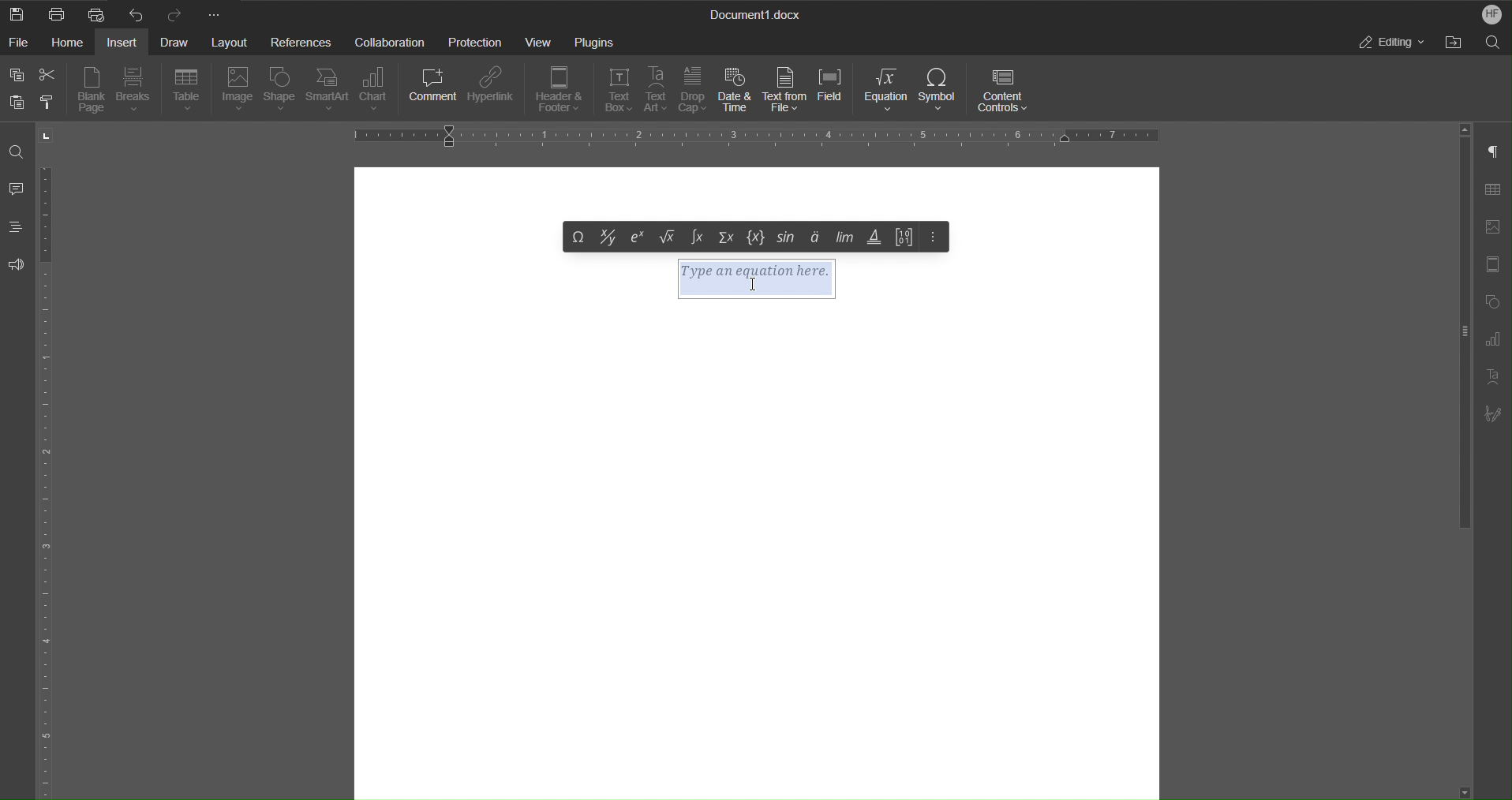 This screenshot has height=800, width=1512. What do you see at coordinates (596, 40) in the screenshot?
I see `Plugins` at bounding box center [596, 40].